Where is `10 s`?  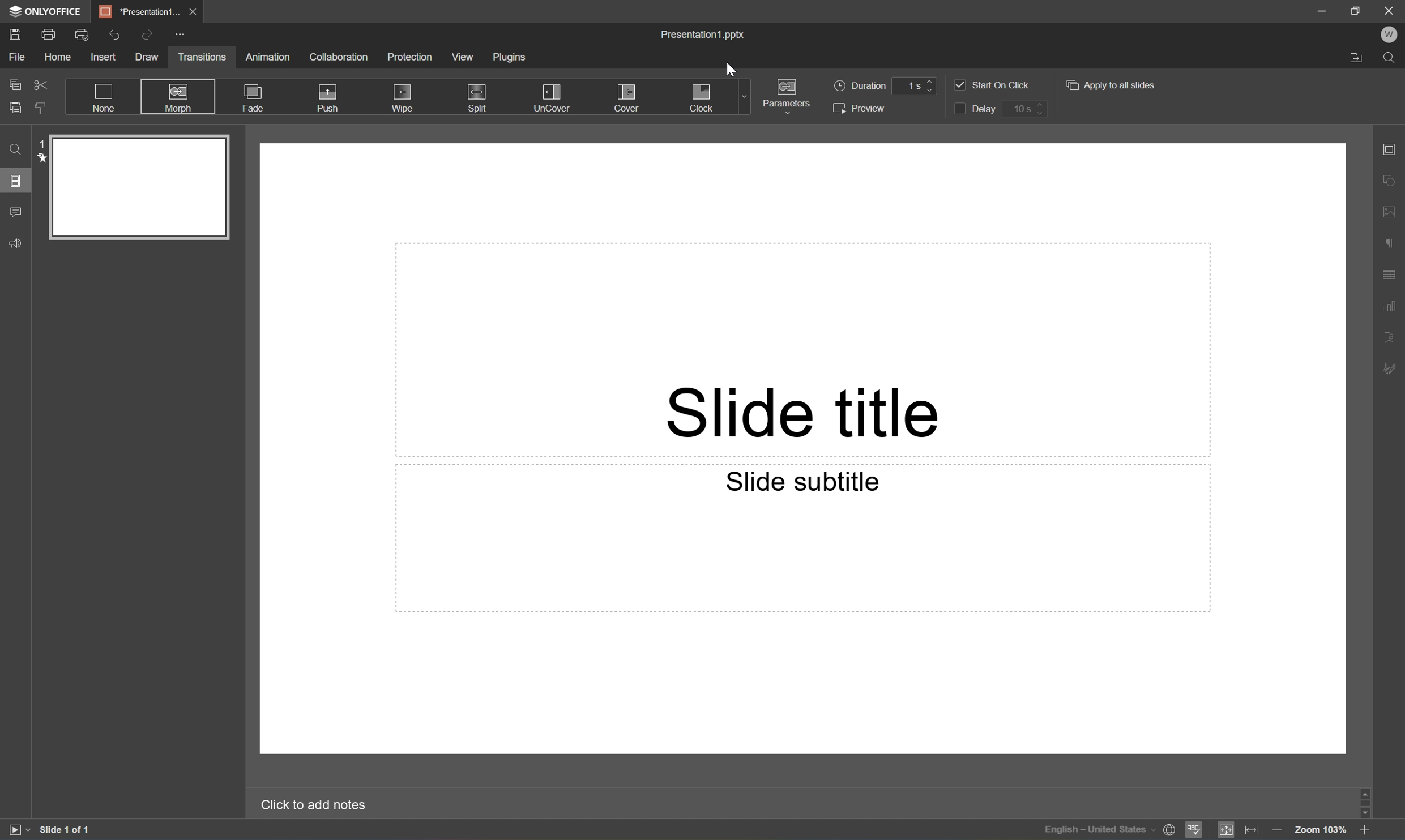
10 s is located at coordinates (1022, 110).